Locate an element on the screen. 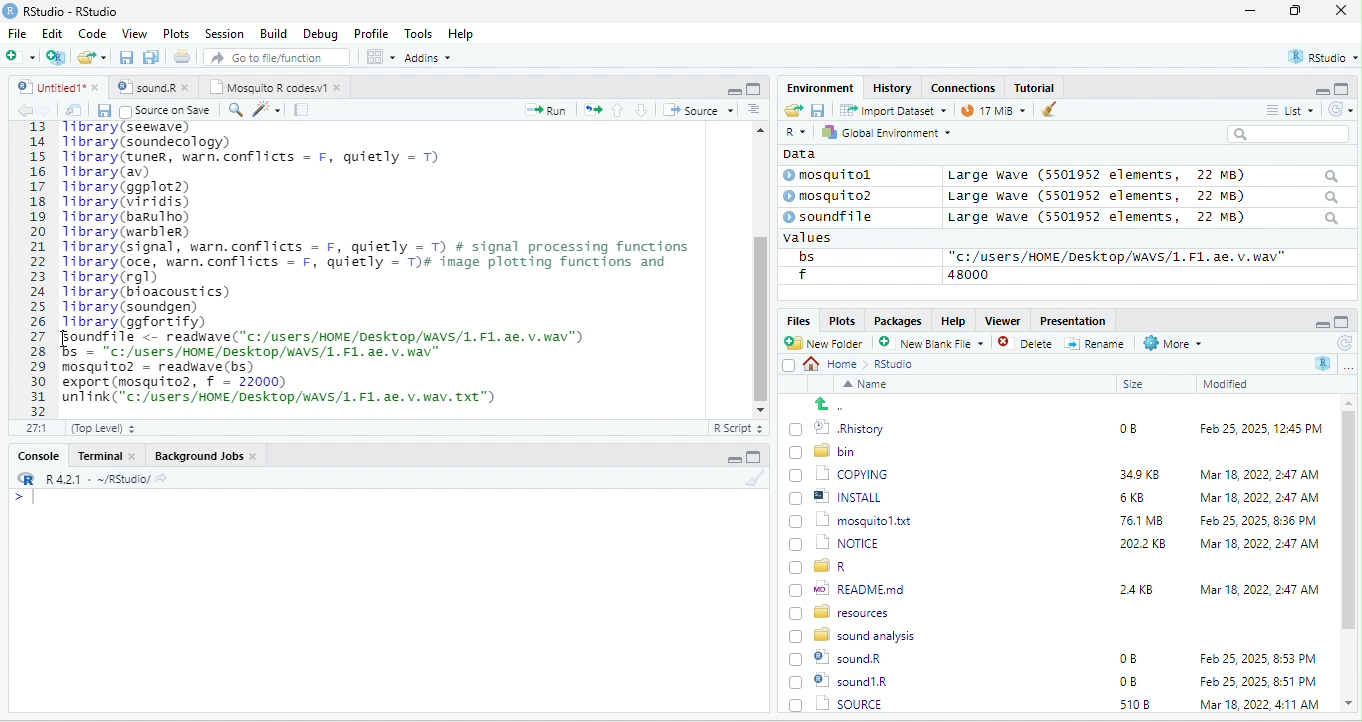 The height and width of the screenshot is (722, 1362). scroll bar is located at coordinates (759, 267).